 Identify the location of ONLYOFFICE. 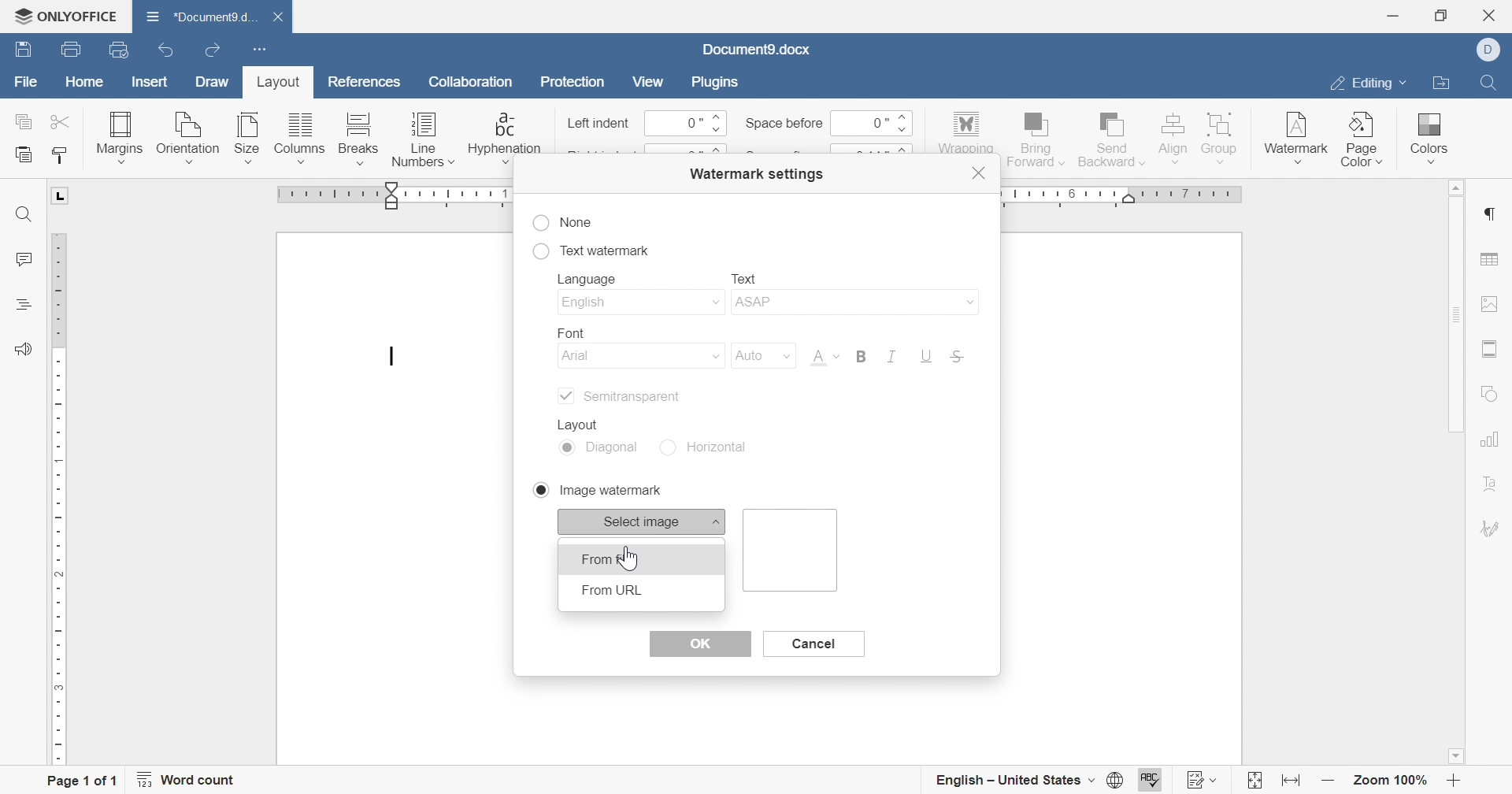
(65, 13).